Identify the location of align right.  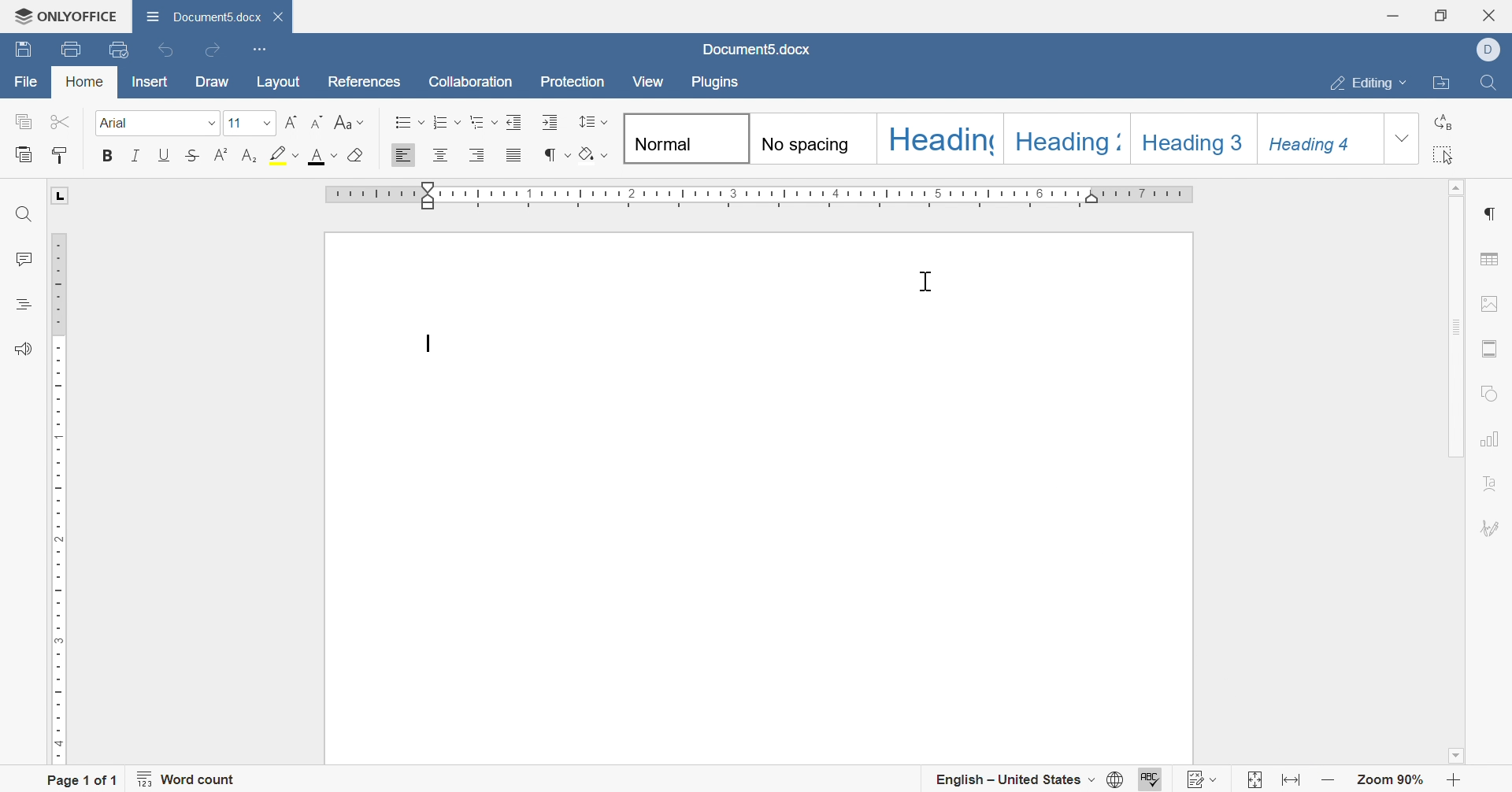
(478, 154).